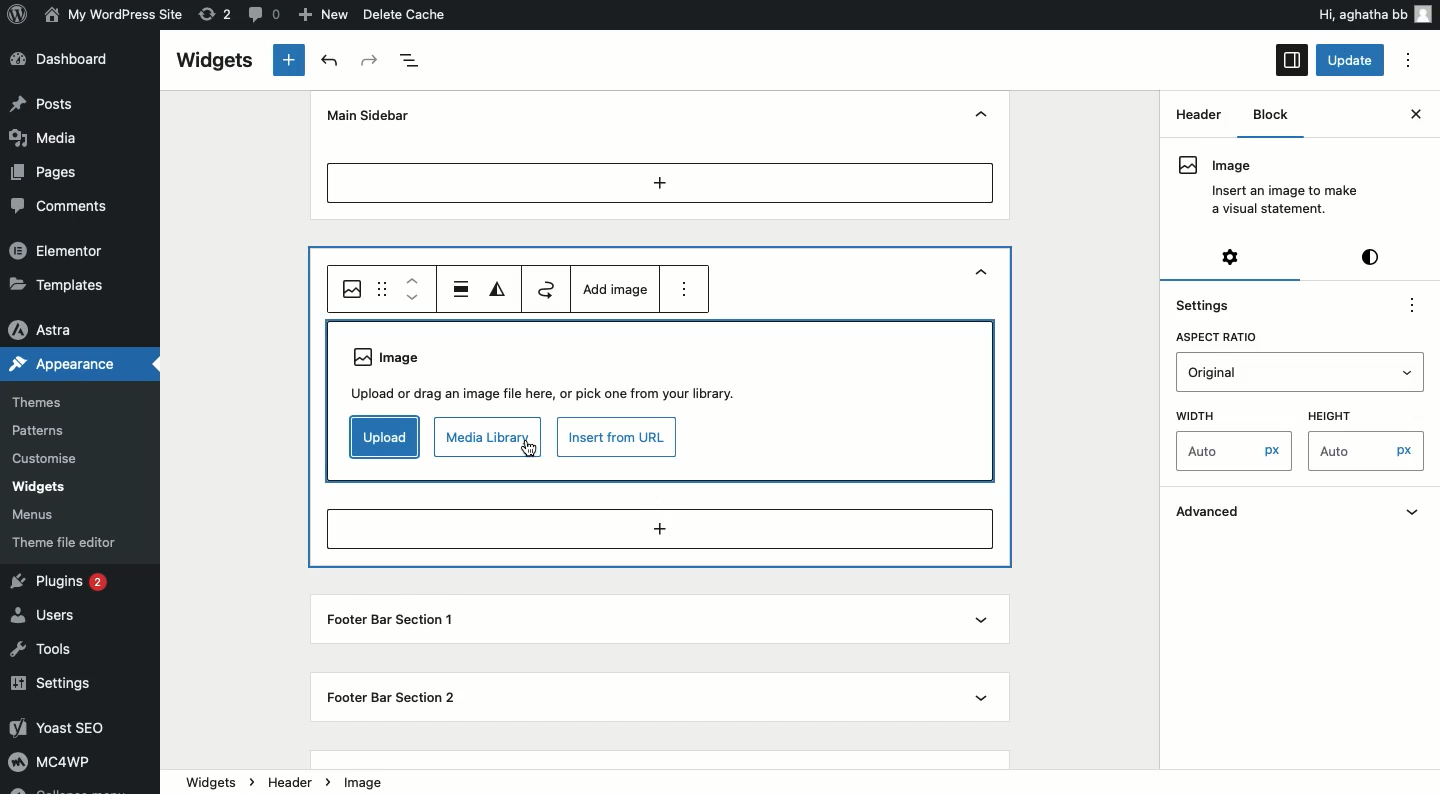 This screenshot has width=1440, height=794. I want to click on Astra, so click(44, 331).